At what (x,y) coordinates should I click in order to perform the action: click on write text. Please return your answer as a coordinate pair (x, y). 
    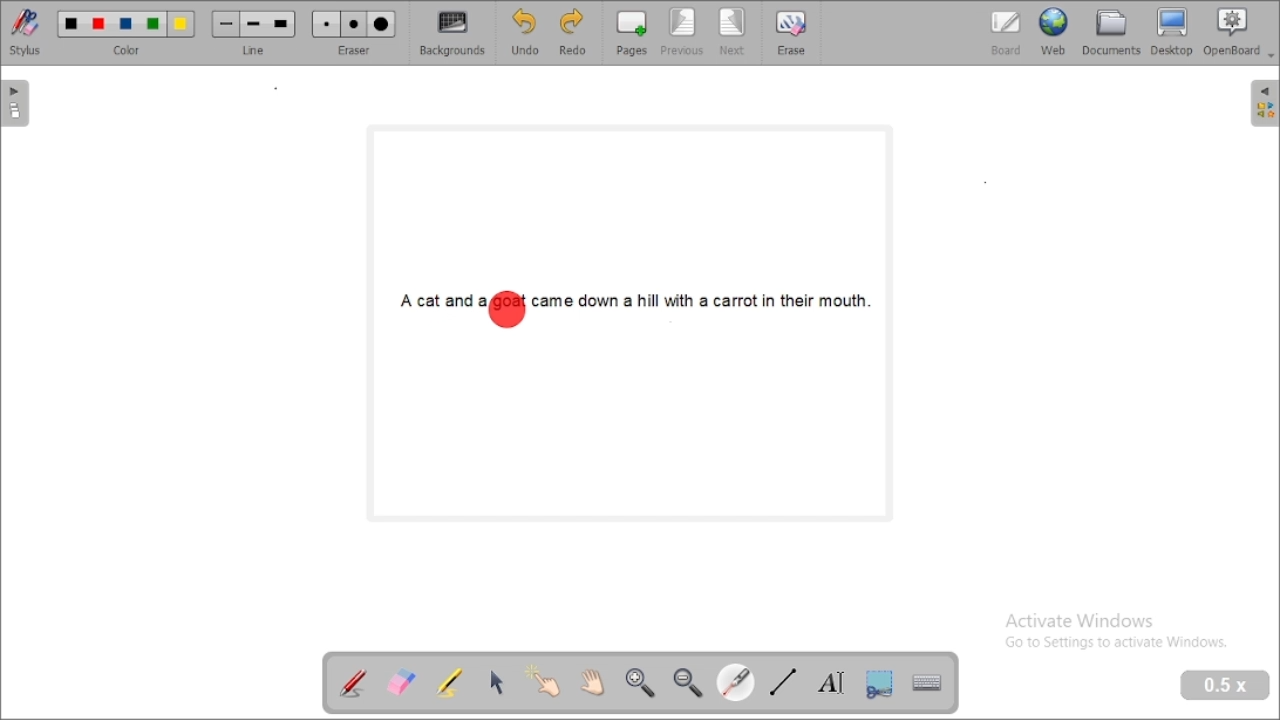
    Looking at the image, I should click on (830, 682).